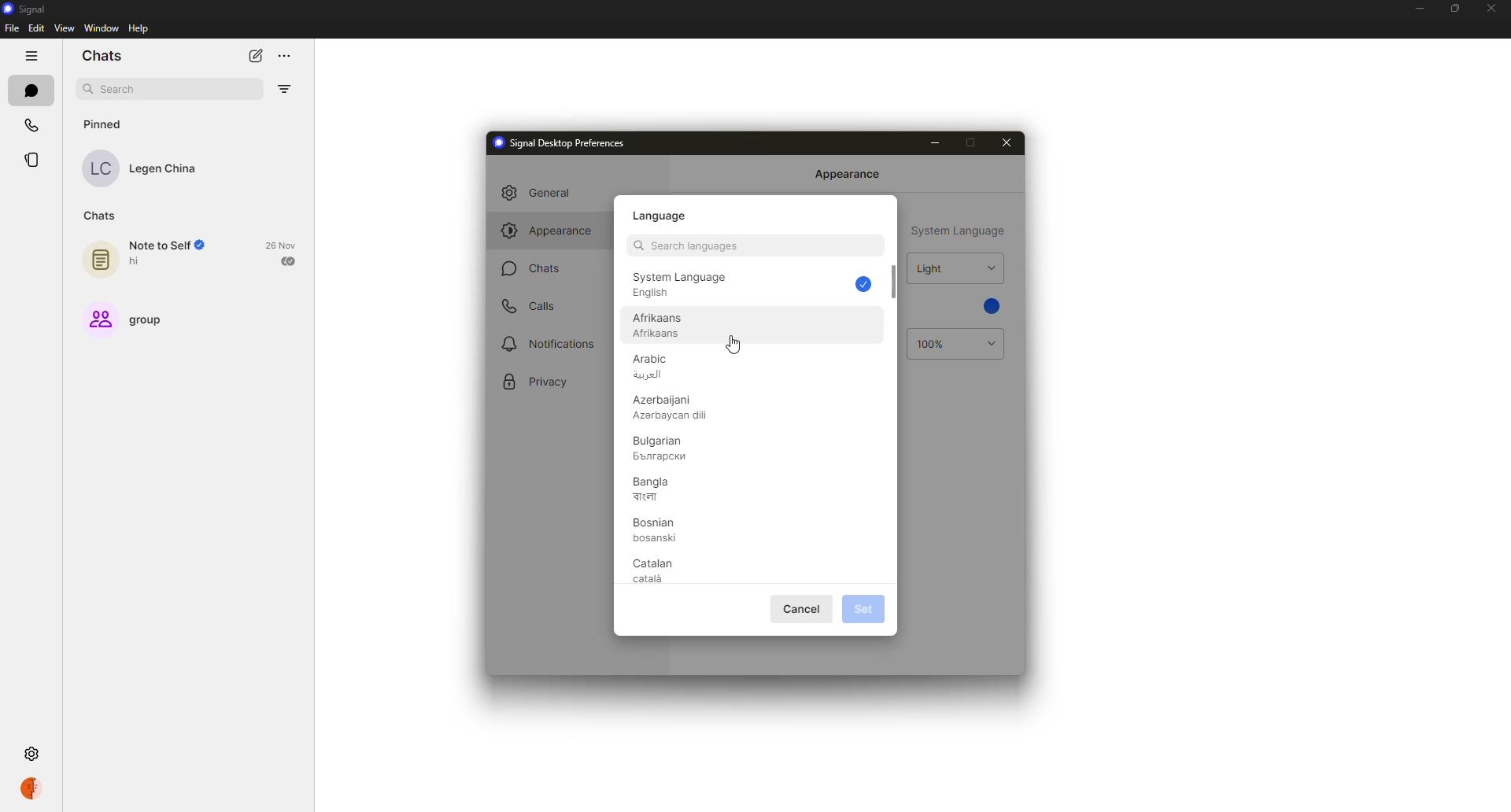  Describe the element at coordinates (125, 318) in the screenshot. I see `group` at that location.